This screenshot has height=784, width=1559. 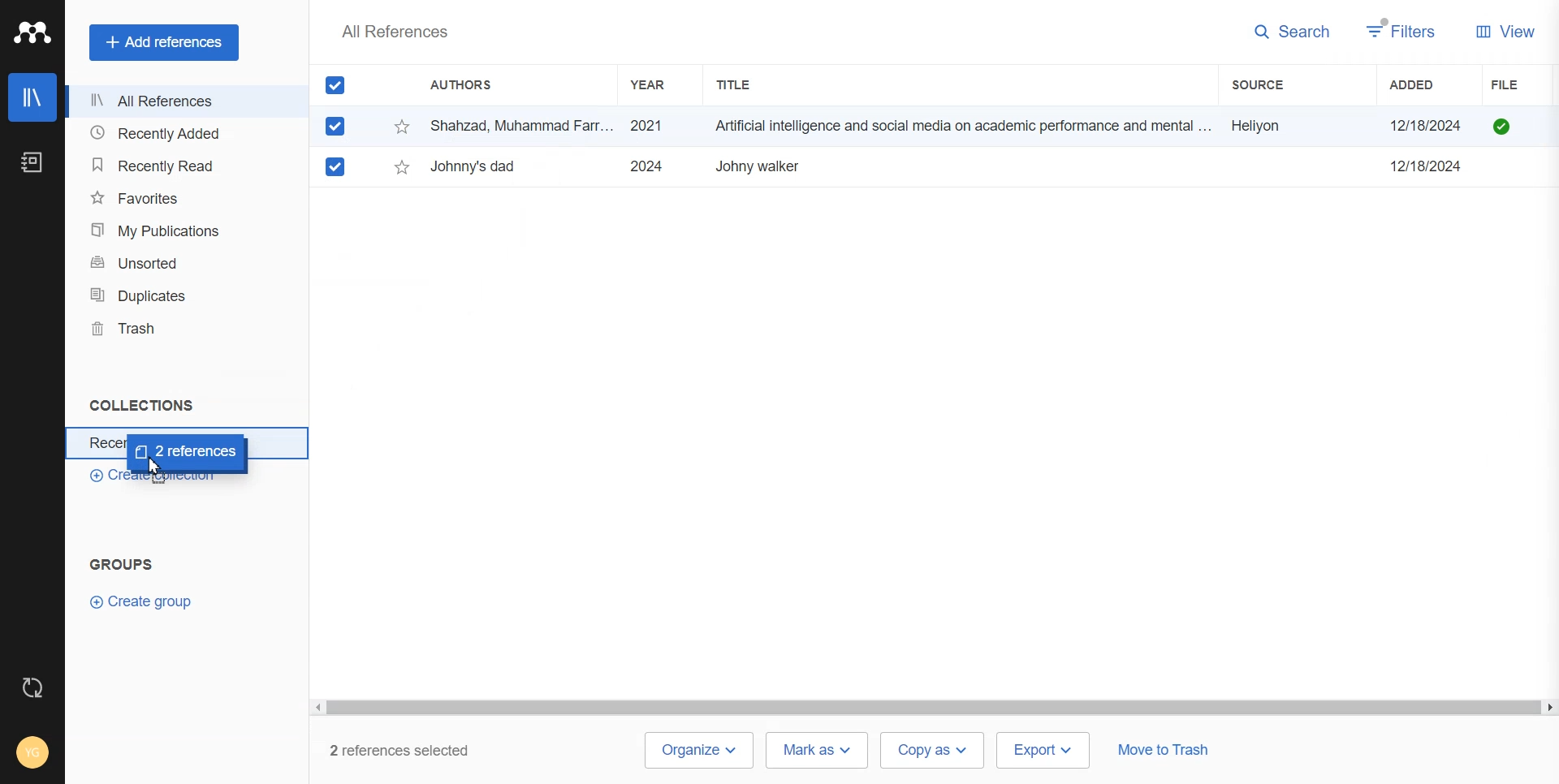 I want to click on Add references, so click(x=164, y=42).